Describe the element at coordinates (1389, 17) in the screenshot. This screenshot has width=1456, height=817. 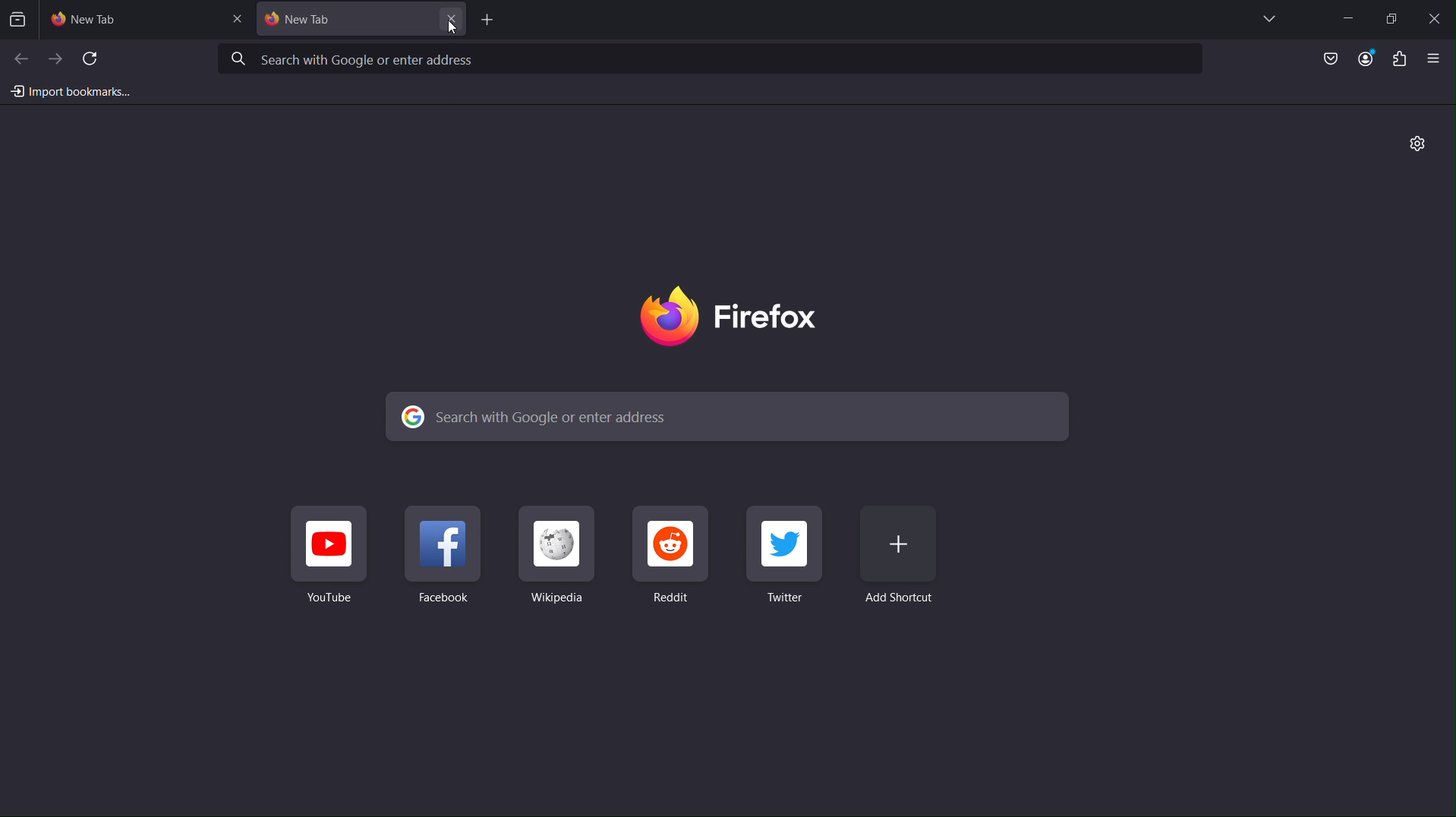
I see `Maximize` at that location.